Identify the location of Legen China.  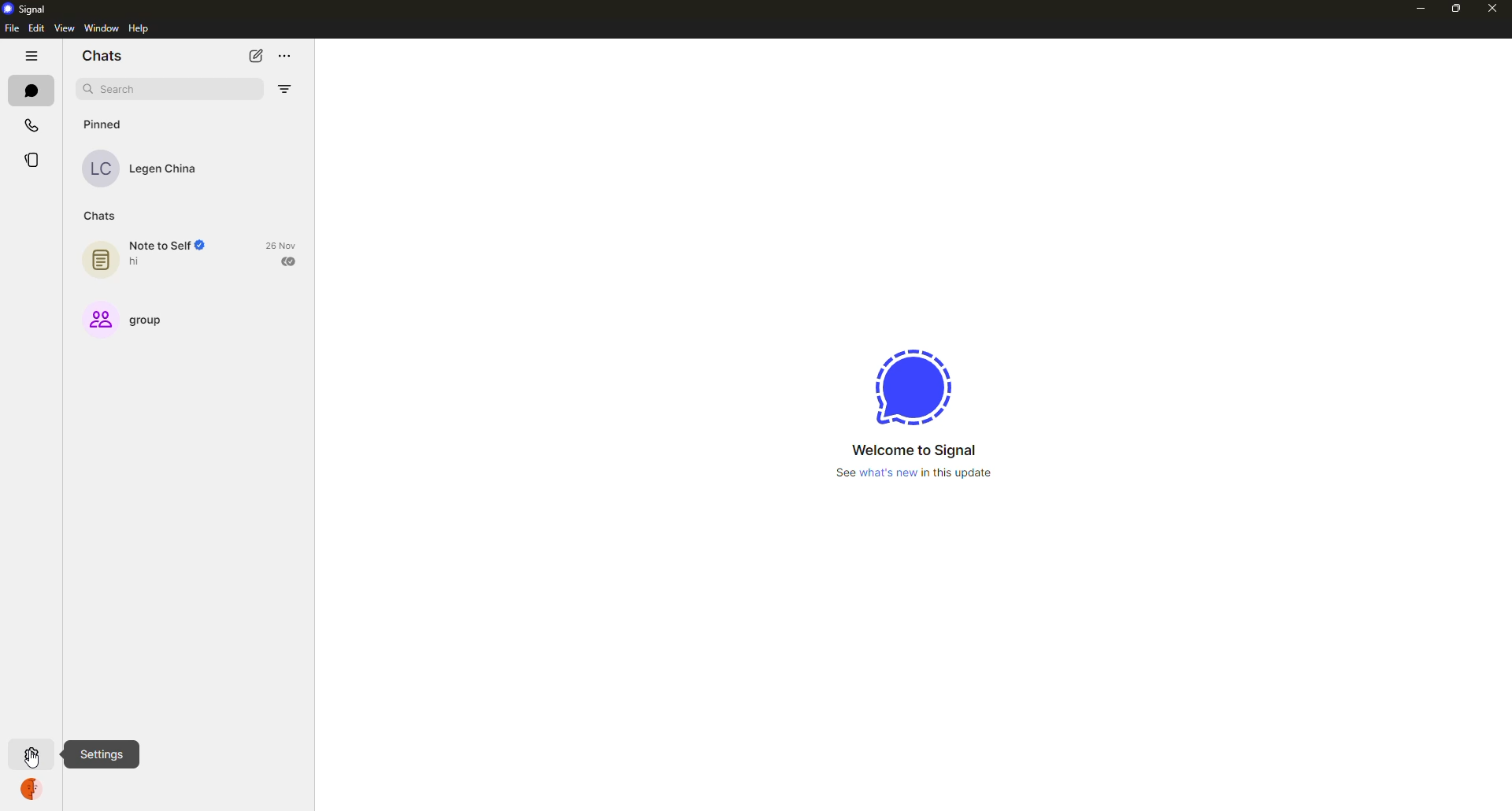
(168, 170).